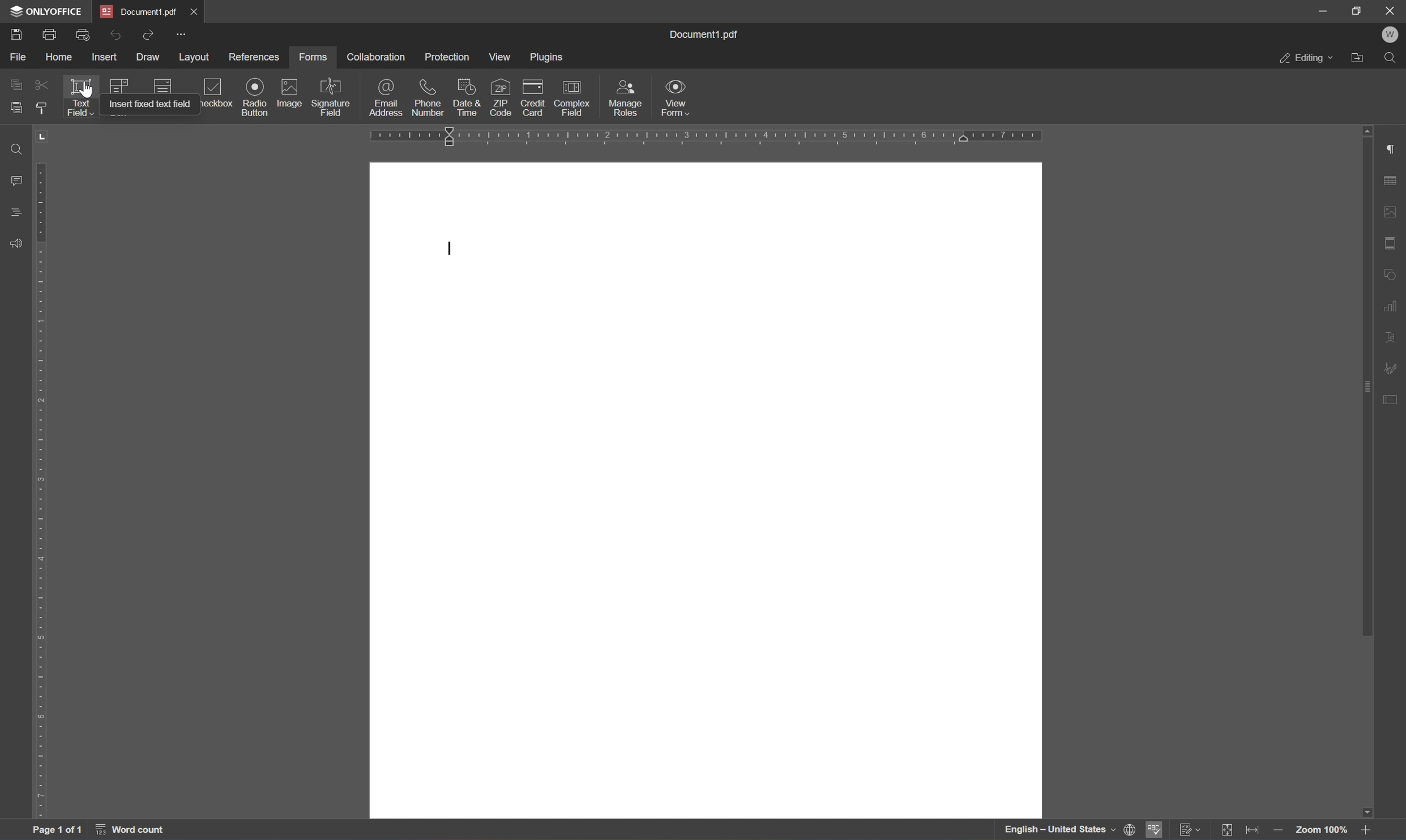 The width and height of the screenshot is (1406, 840). What do you see at coordinates (332, 97) in the screenshot?
I see `signature field` at bounding box center [332, 97].